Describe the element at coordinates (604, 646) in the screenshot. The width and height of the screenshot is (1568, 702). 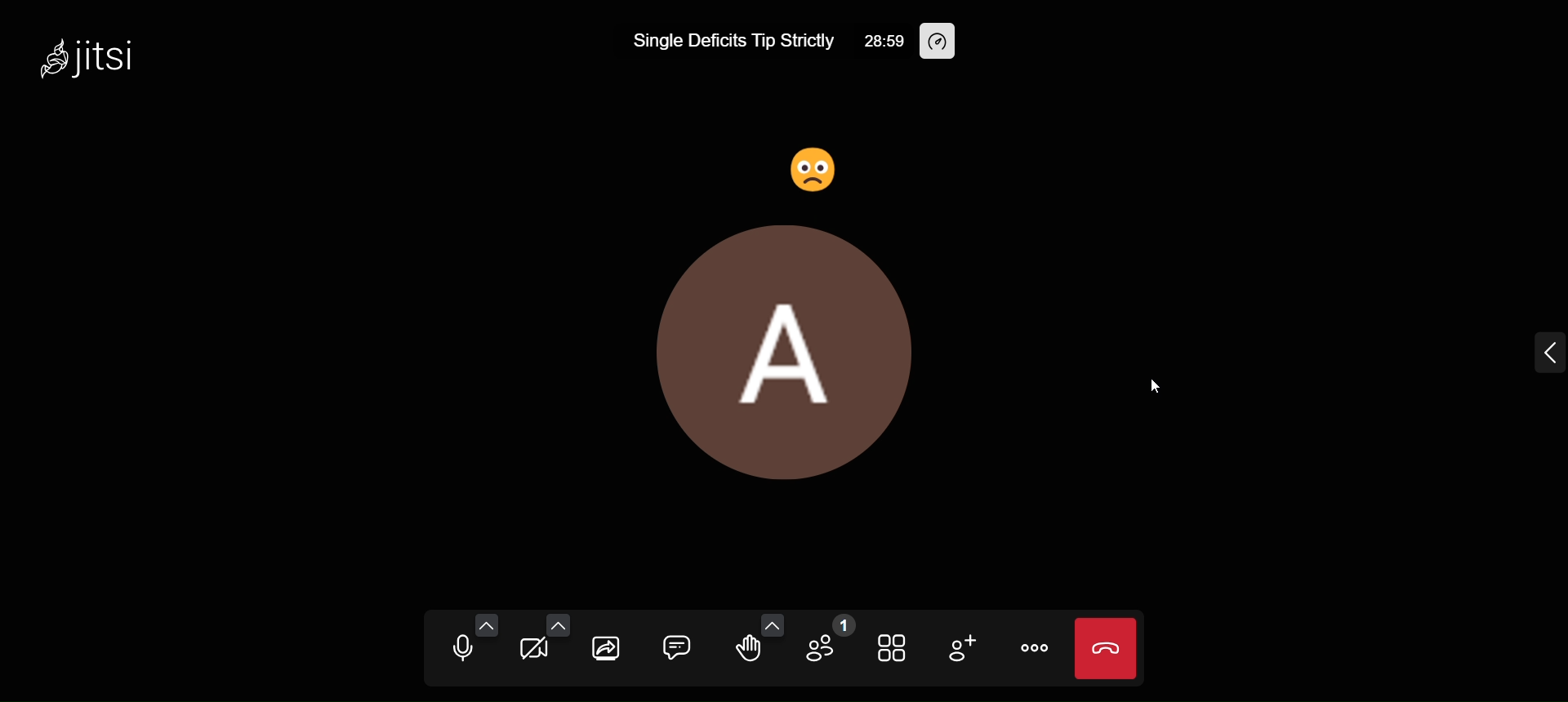
I see `start screen sharing` at that location.